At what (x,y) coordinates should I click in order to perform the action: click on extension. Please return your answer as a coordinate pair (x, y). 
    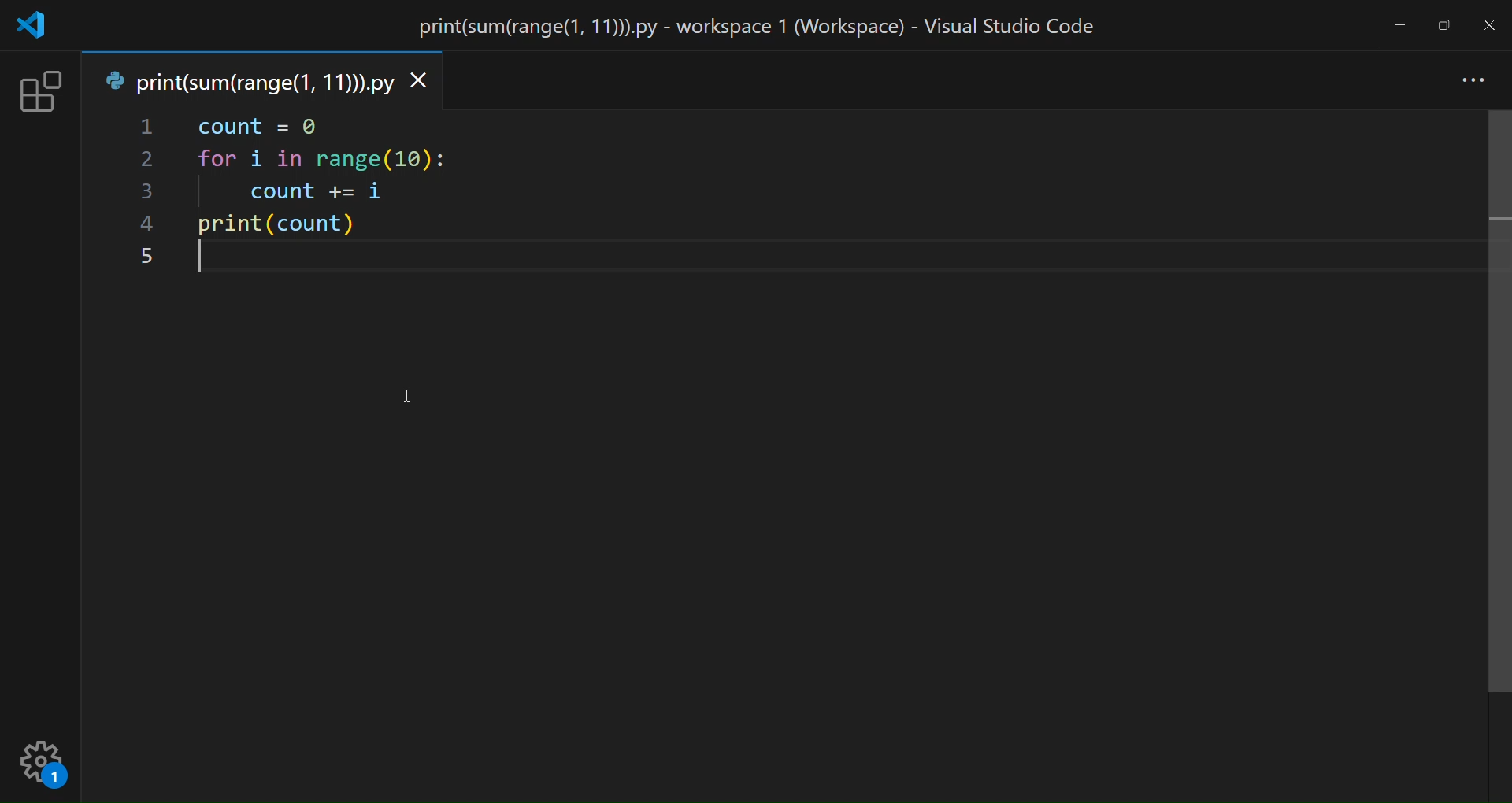
    Looking at the image, I should click on (40, 93).